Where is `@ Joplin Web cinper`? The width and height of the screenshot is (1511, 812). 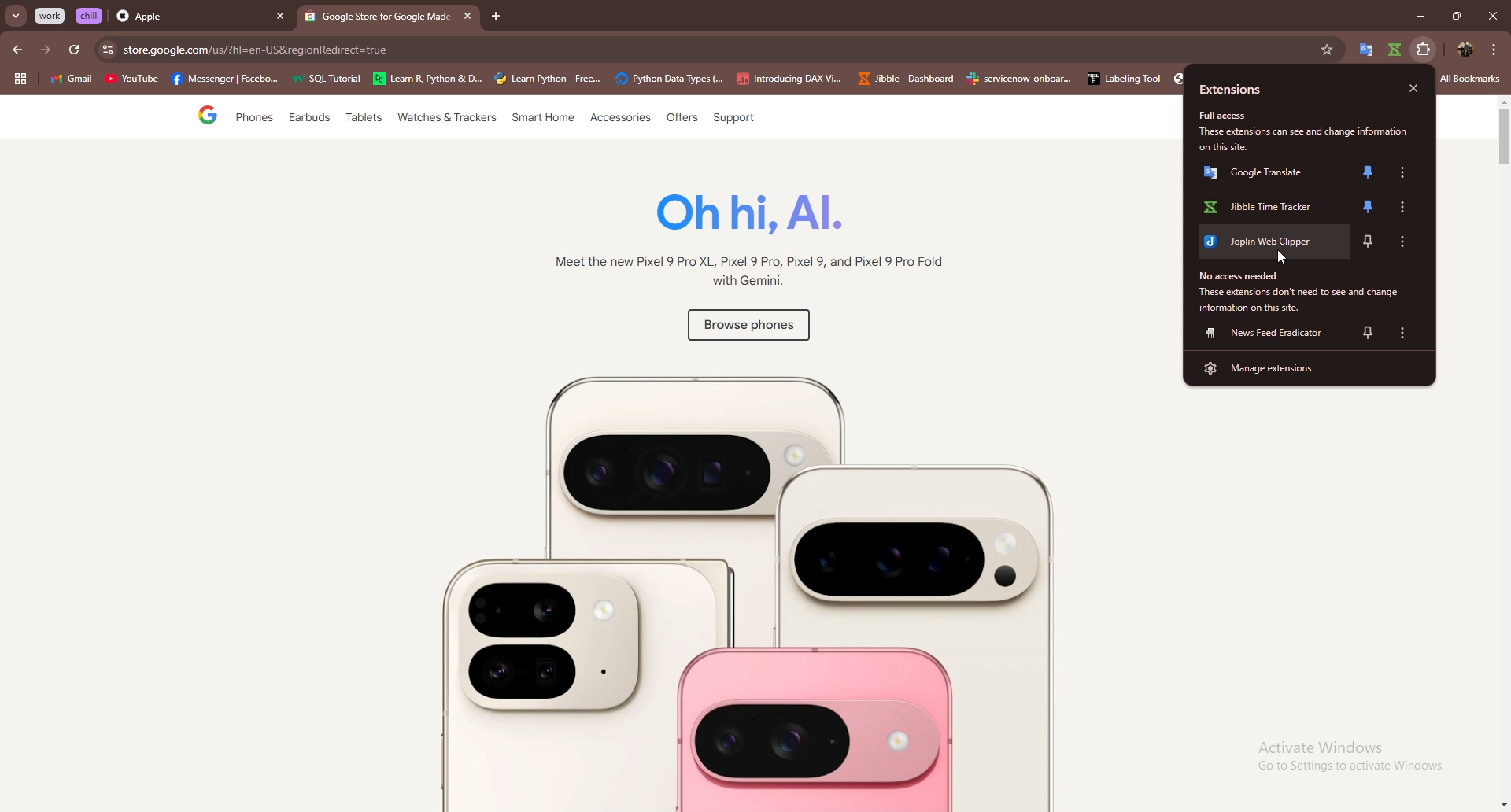 @ Joplin Web cinper is located at coordinates (1266, 246).